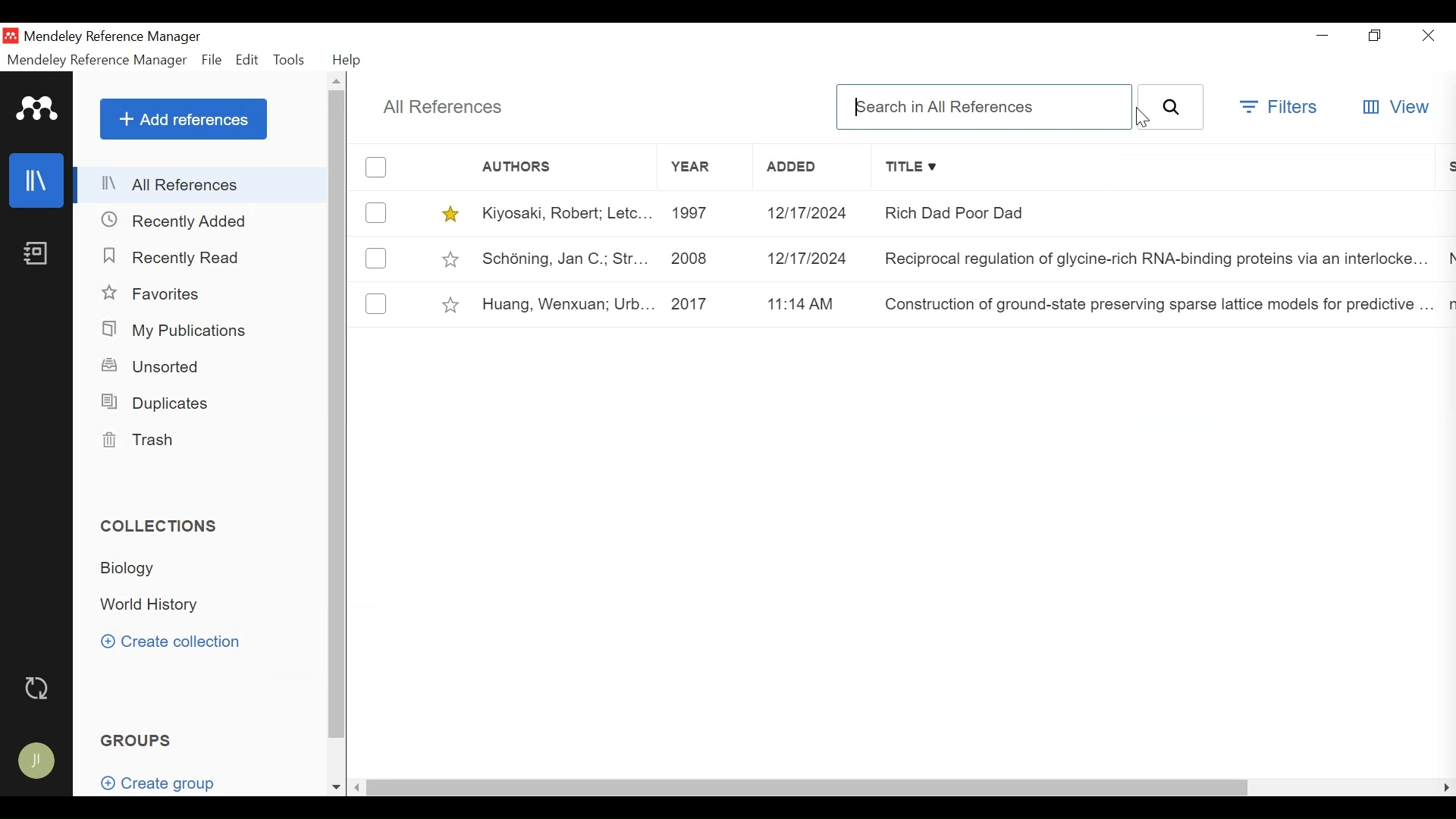 The width and height of the screenshot is (1456, 819). I want to click on Scroll down, so click(336, 787).